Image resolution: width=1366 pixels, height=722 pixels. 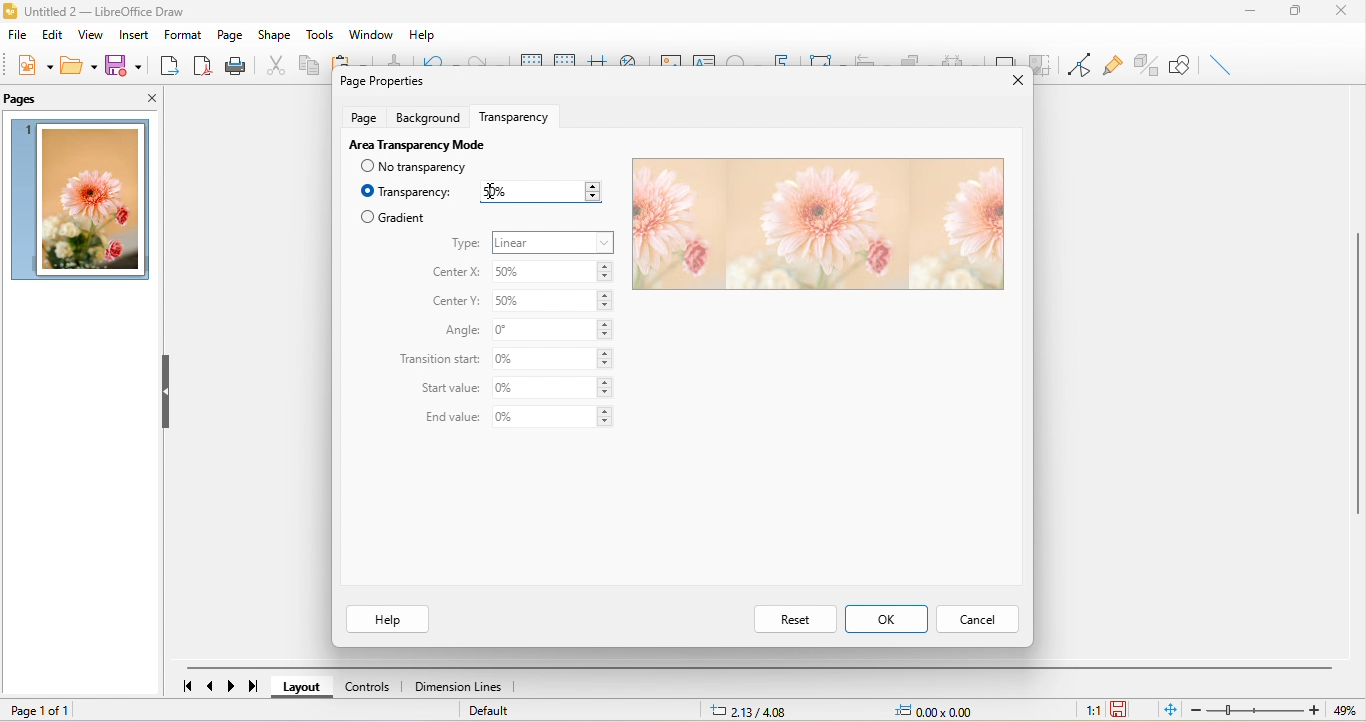 What do you see at coordinates (77, 65) in the screenshot?
I see `open` at bounding box center [77, 65].